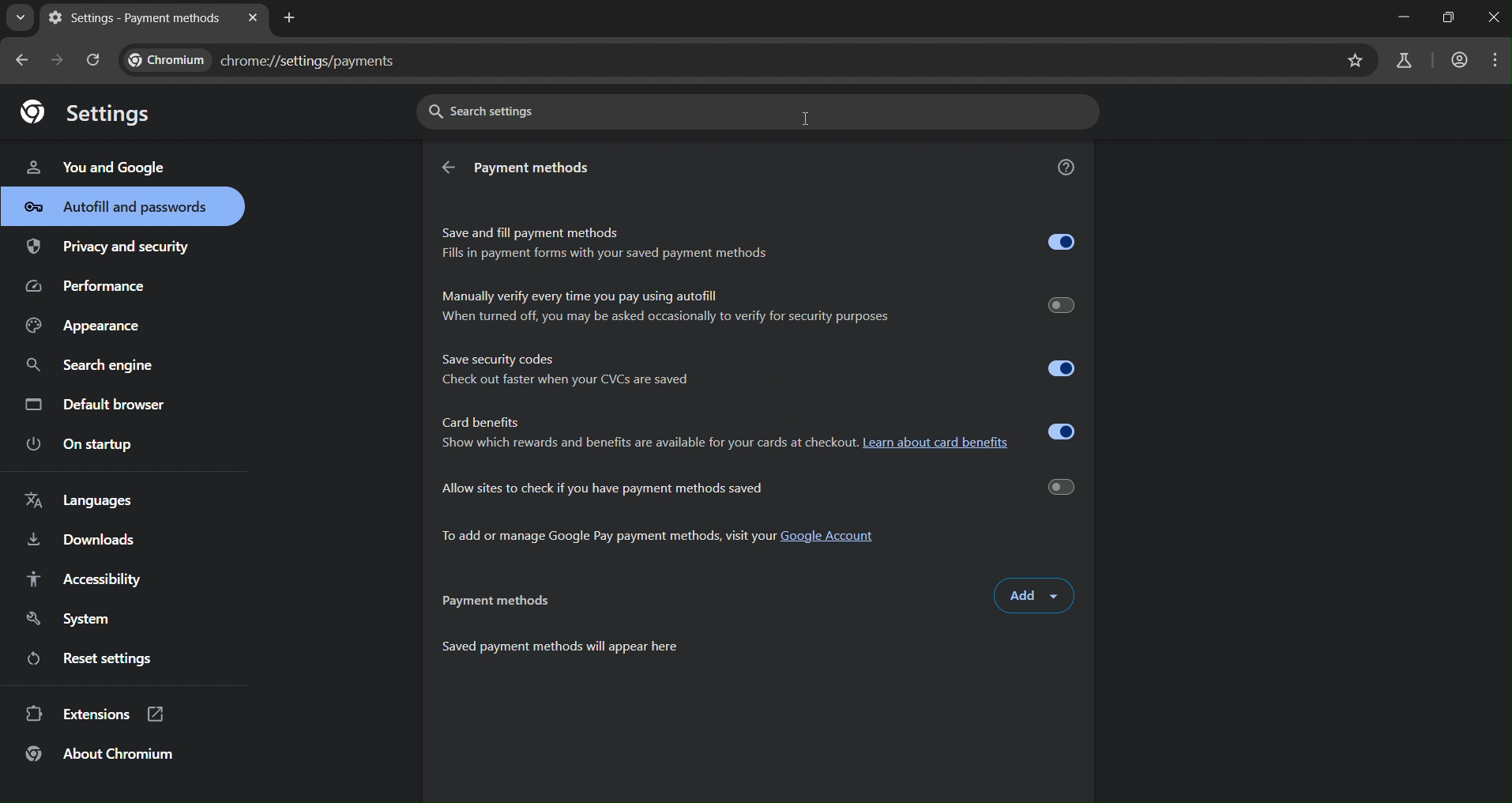 The height and width of the screenshot is (803, 1512). Describe the element at coordinates (98, 111) in the screenshot. I see `settings` at that location.